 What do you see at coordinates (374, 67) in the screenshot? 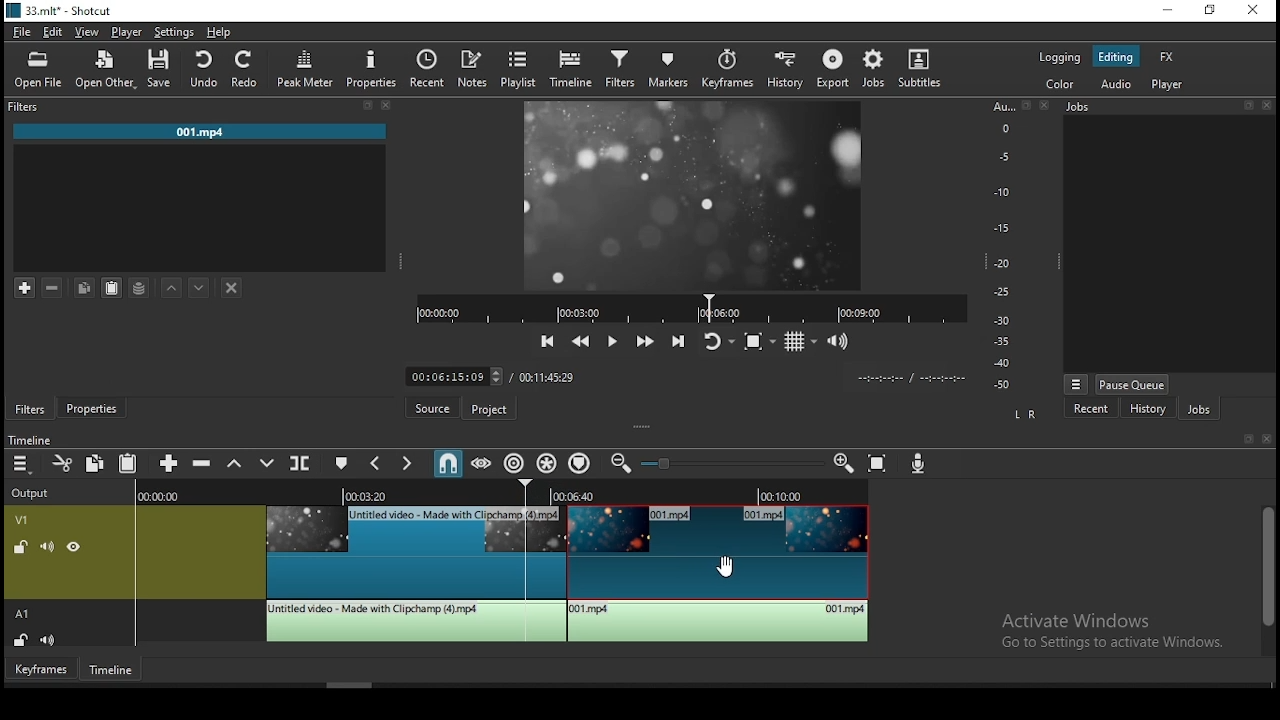
I see `properties` at bounding box center [374, 67].